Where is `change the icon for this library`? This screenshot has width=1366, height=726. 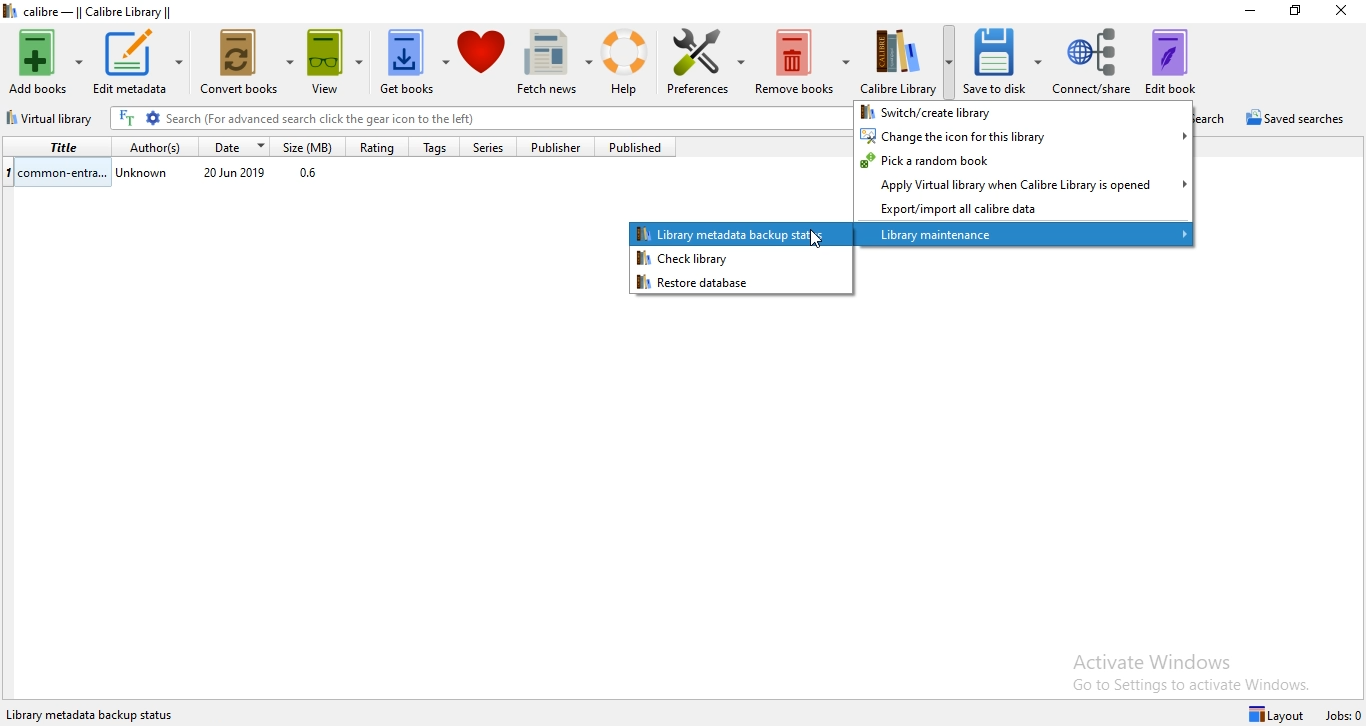 change the icon for this library is located at coordinates (1024, 135).